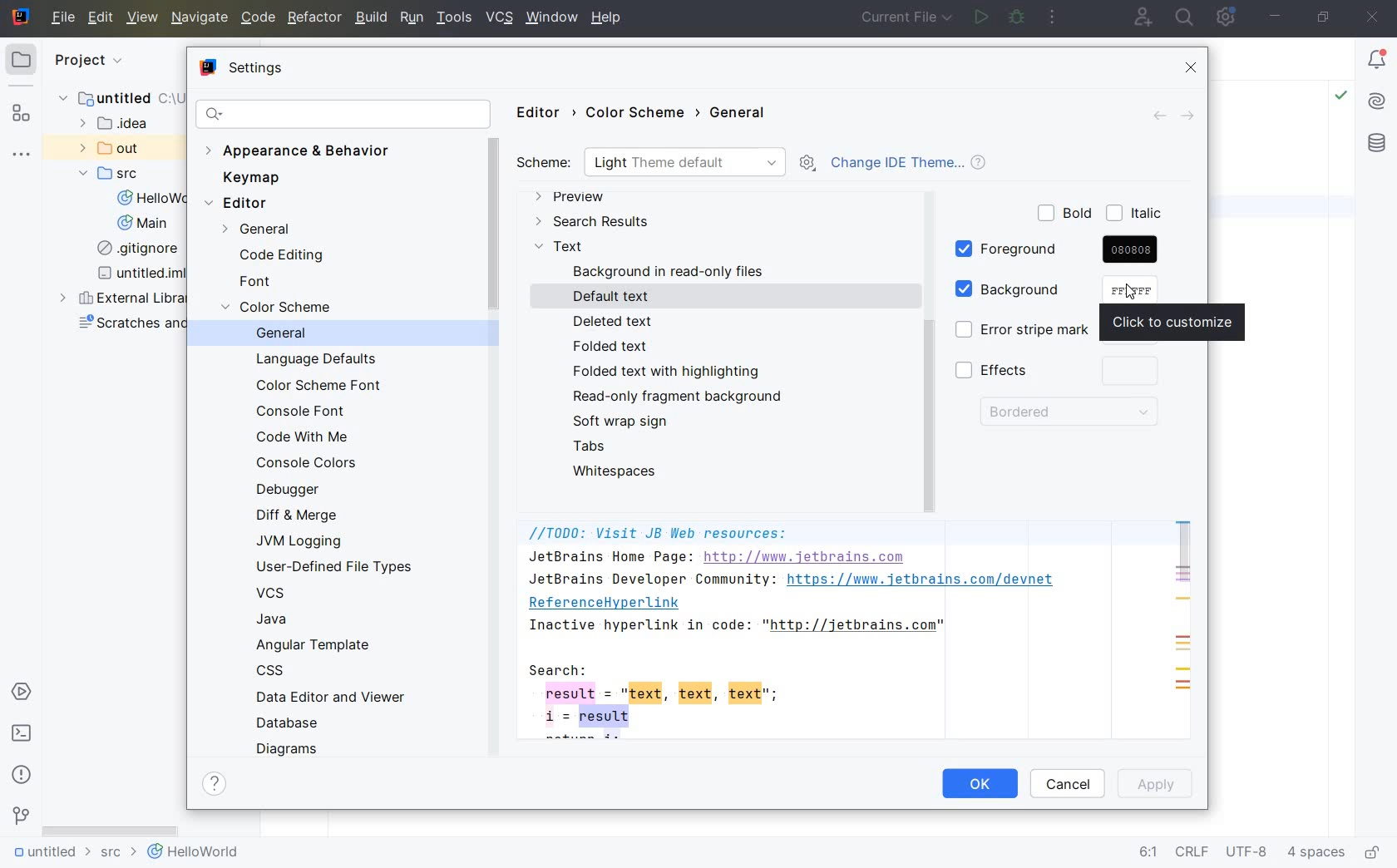  I want to click on helloworld, so click(193, 855).